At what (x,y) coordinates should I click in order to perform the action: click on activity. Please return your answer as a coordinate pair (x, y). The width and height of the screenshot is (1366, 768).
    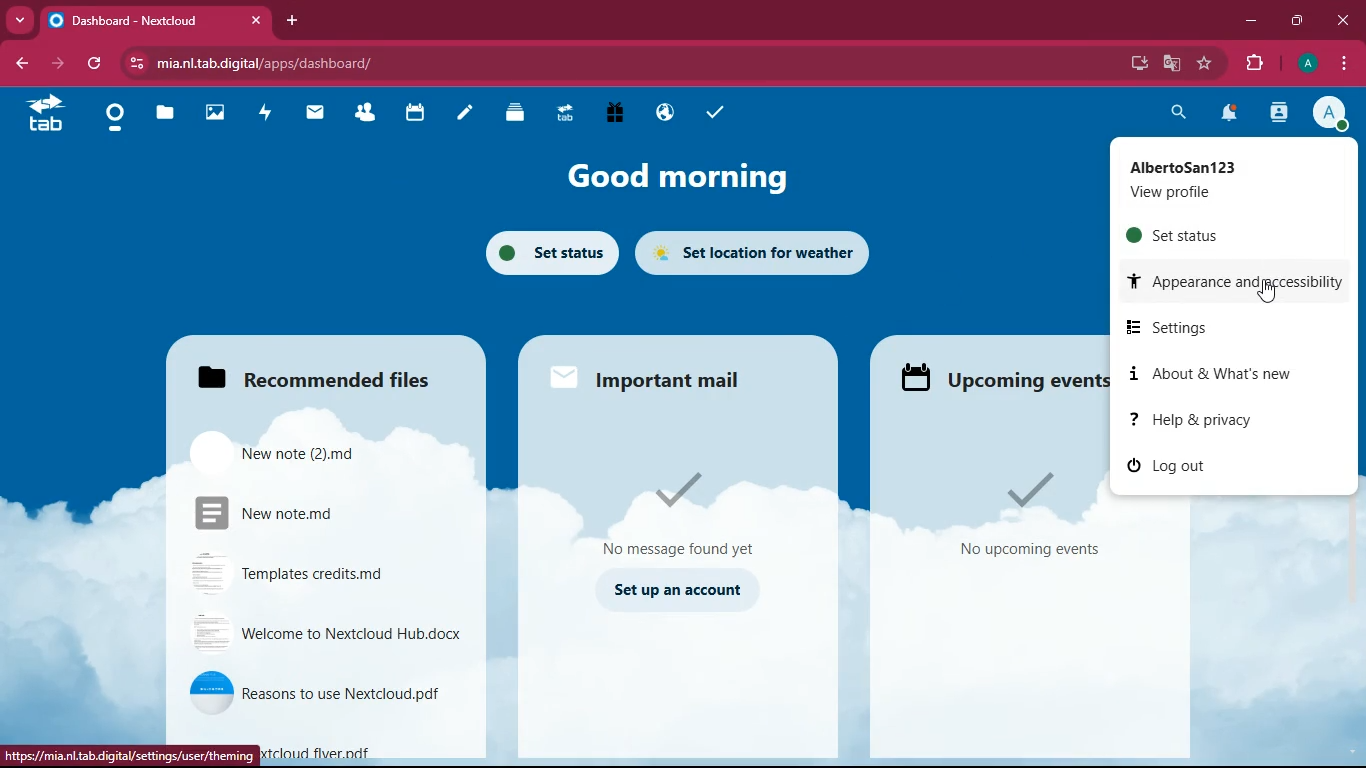
    Looking at the image, I should click on (1278, 116).